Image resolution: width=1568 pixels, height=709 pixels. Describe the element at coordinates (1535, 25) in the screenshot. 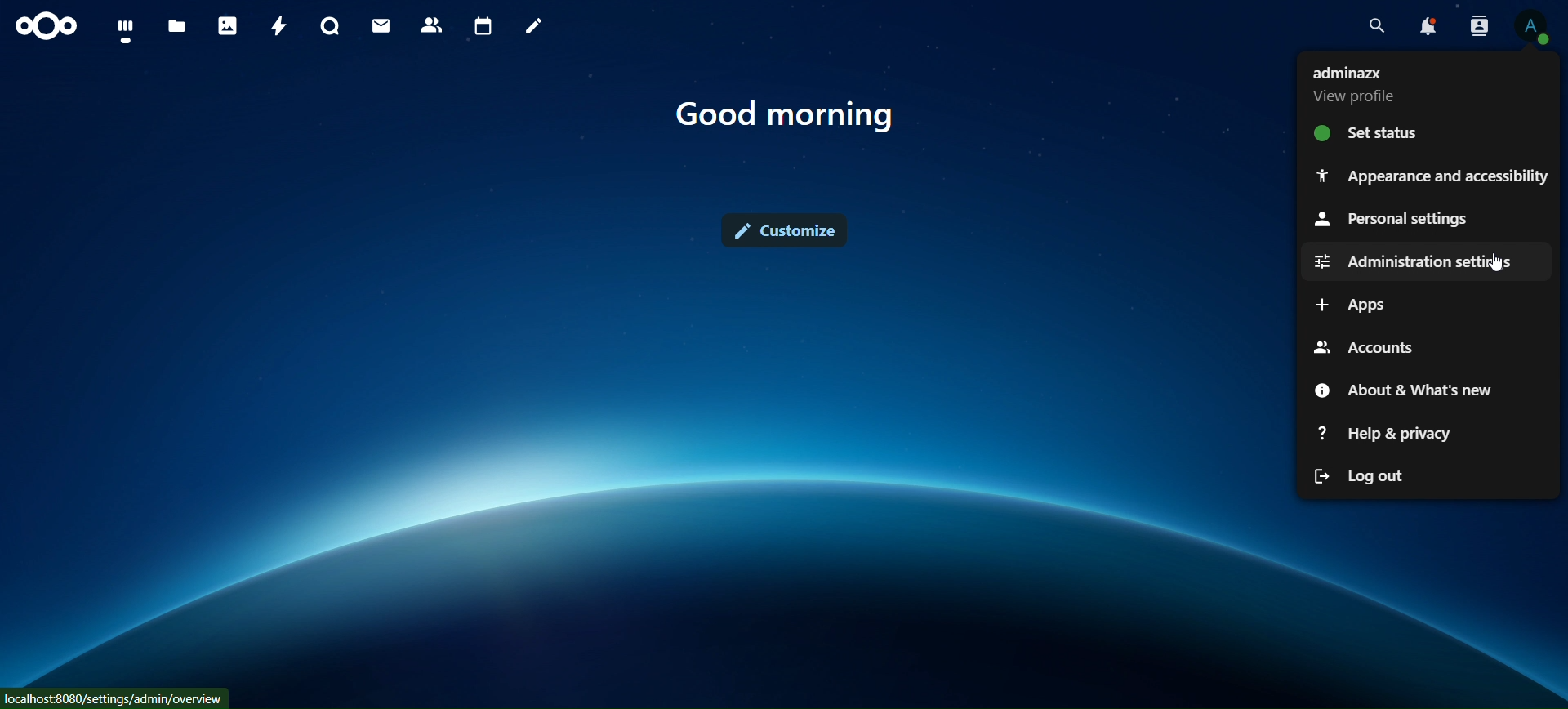

I see `view profile` at that location.